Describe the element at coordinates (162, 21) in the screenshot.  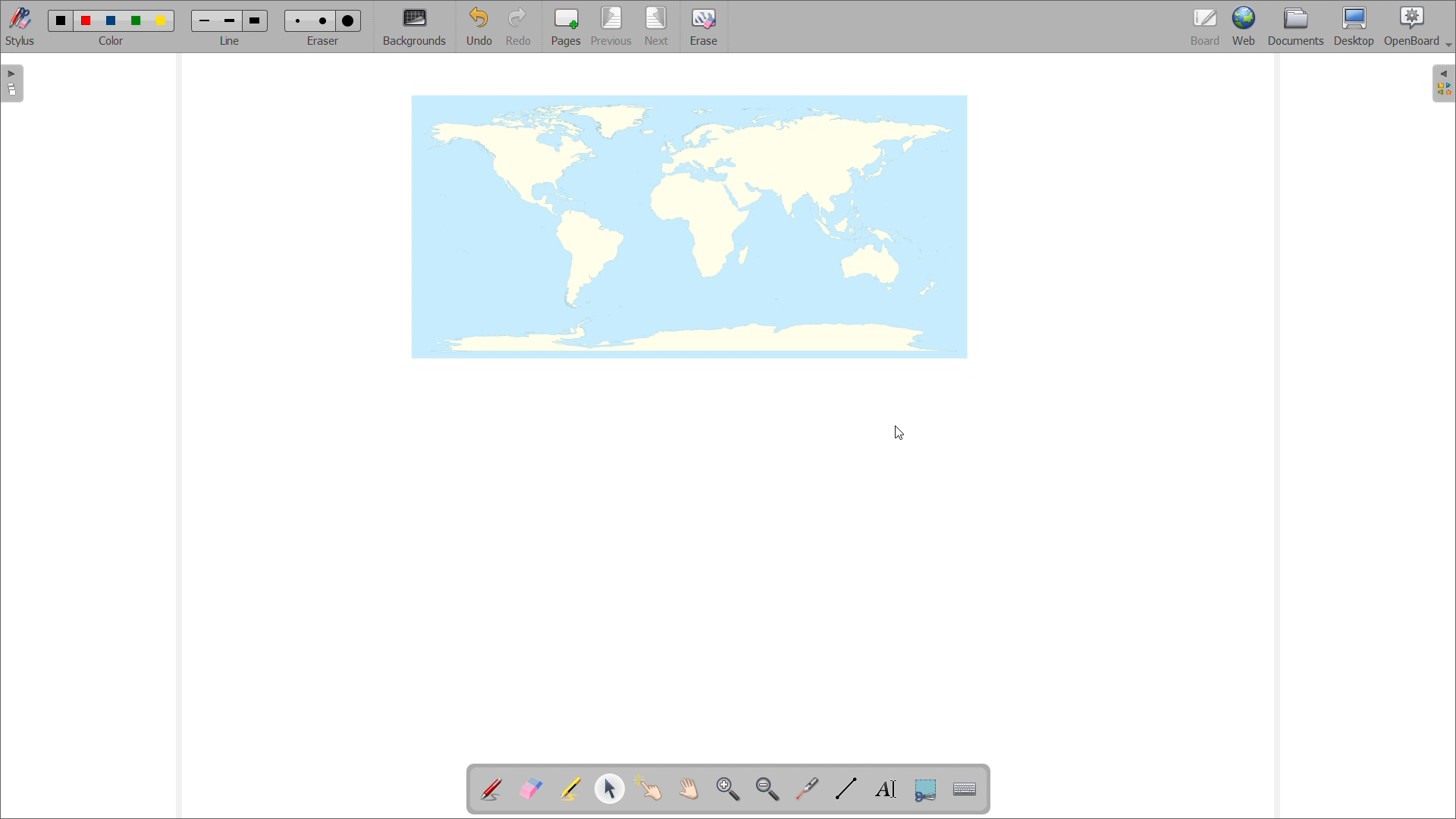
I see `yellow` at that location.